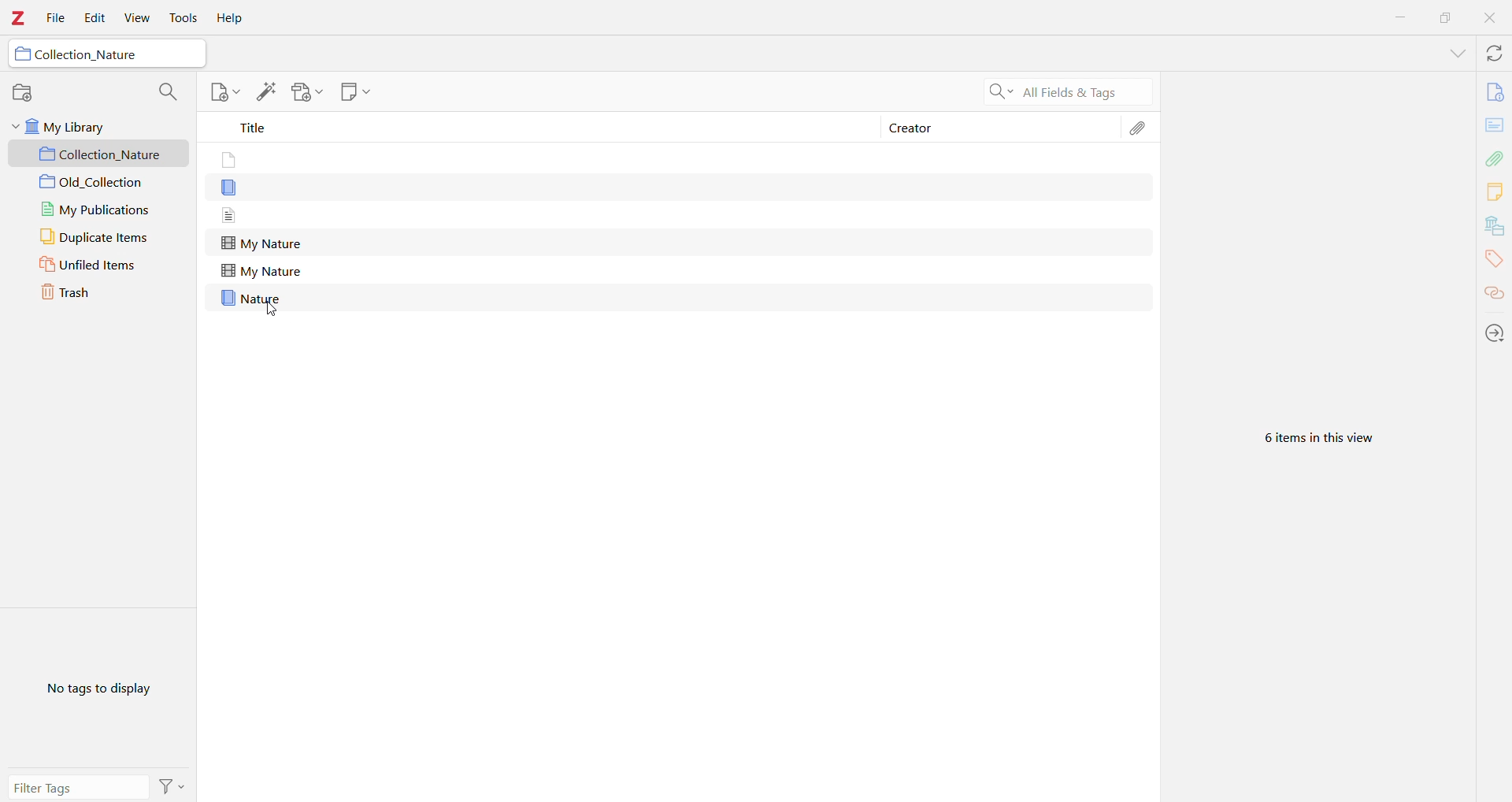 The width and height of the screenshot is (1512, 802). Describe the element at coordinates (1452, 55) in the screenshot. I see `List All Tabs` at that location.